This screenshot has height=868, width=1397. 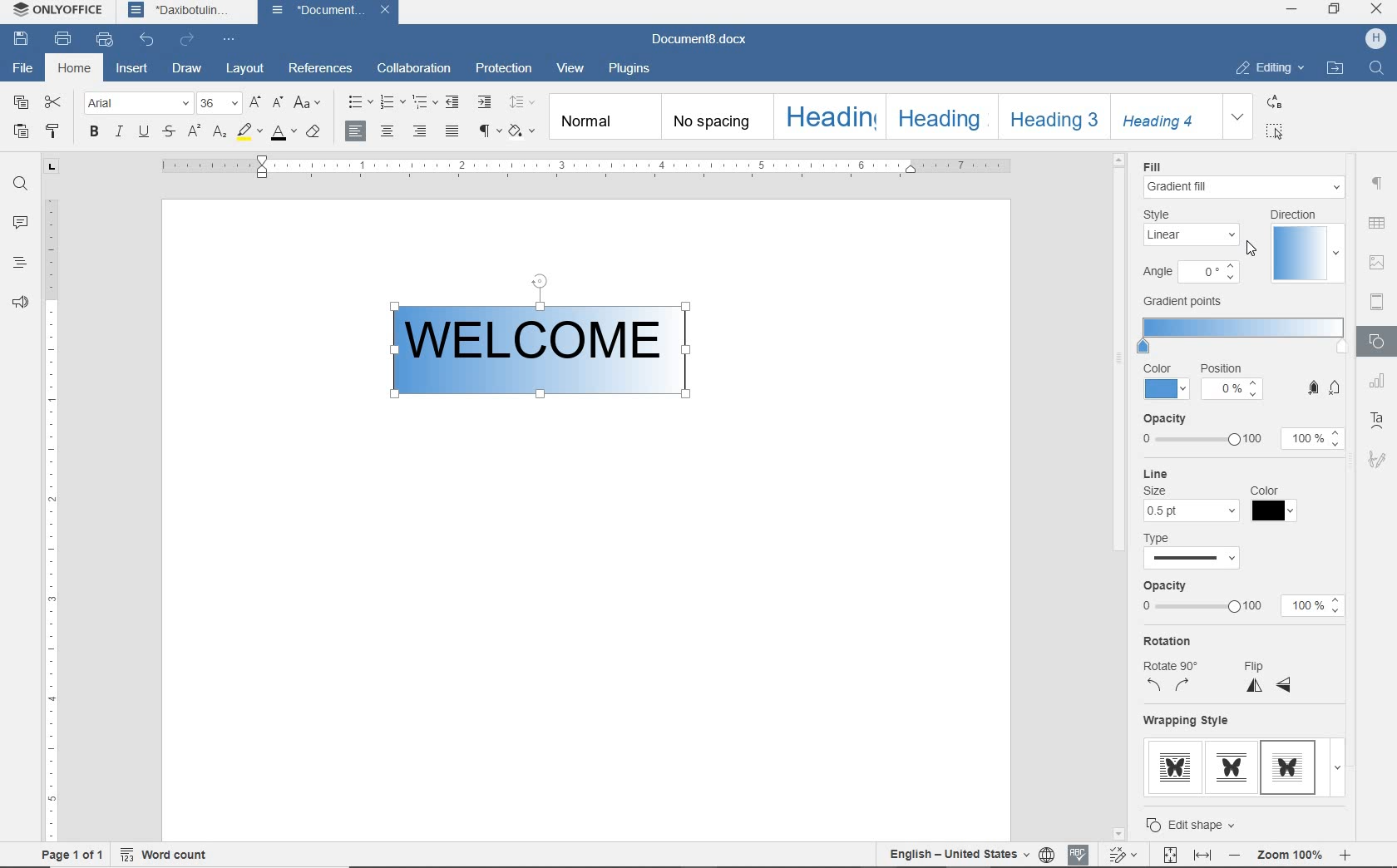 What do you see at coordinates (1175, 418) in the screenshot?
I see `opacity` at bounding box center [1175, 418].